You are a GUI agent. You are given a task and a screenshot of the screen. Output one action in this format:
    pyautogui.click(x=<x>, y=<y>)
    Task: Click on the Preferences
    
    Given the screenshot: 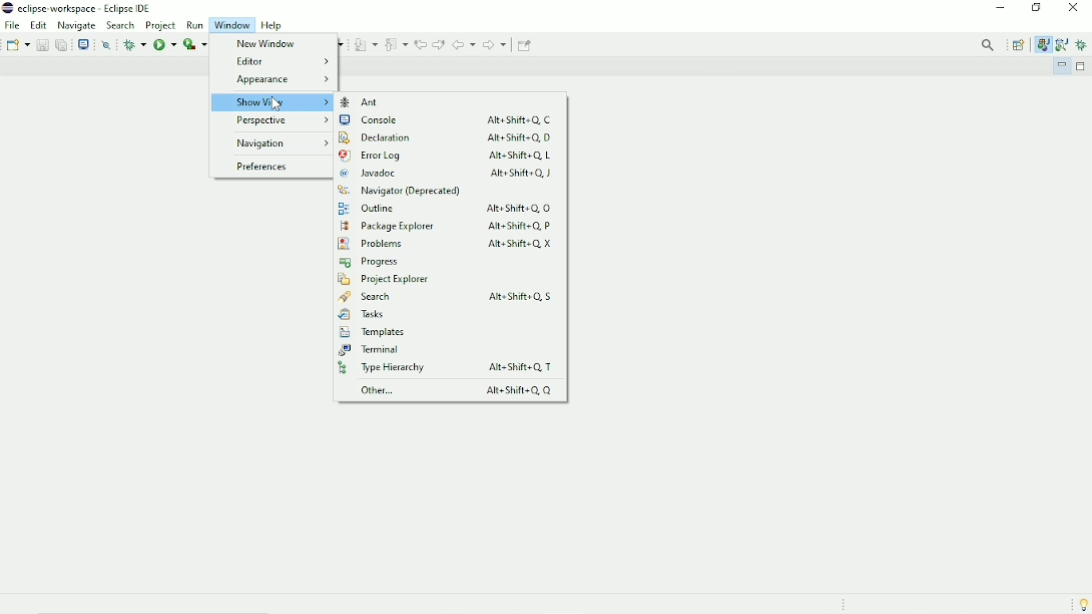 What is the action you would take?
    pyautogui.click(x=260, y=167)
    